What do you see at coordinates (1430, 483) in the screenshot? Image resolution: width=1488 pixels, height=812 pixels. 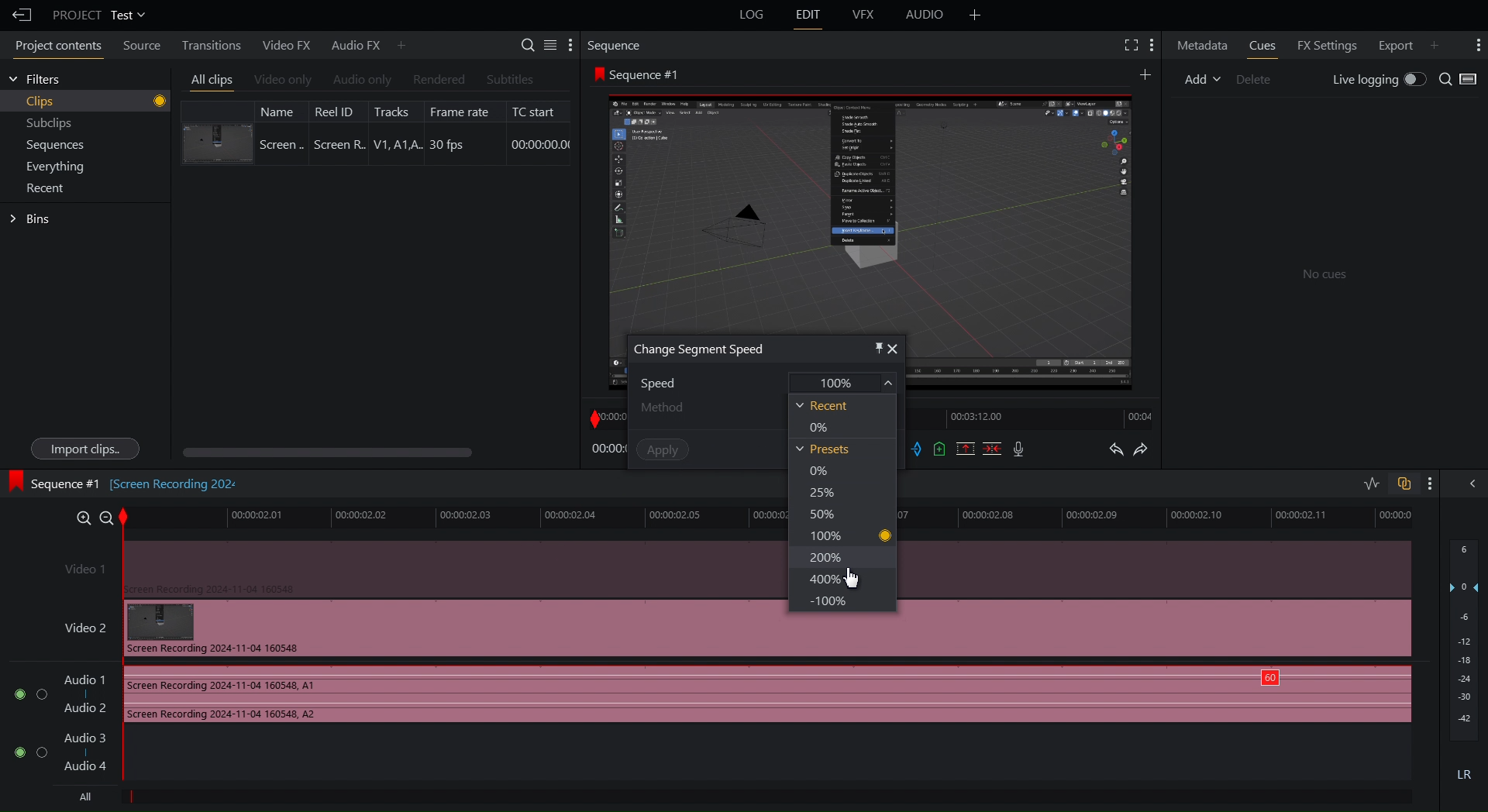 I see `More` at bounding box center [1430, 483].